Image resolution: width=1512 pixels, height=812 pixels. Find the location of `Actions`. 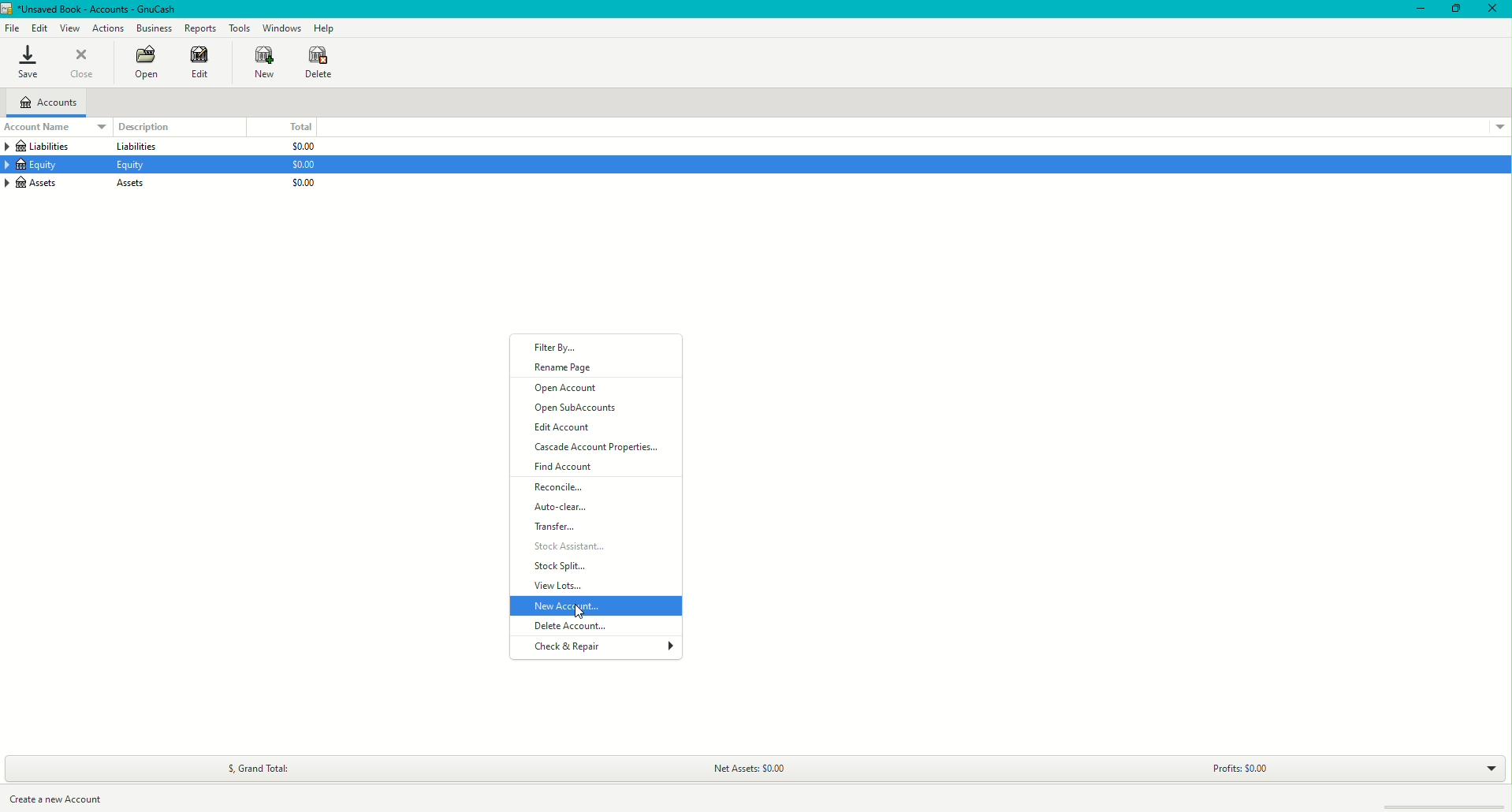

Actions is located at coordinates (110, 28).